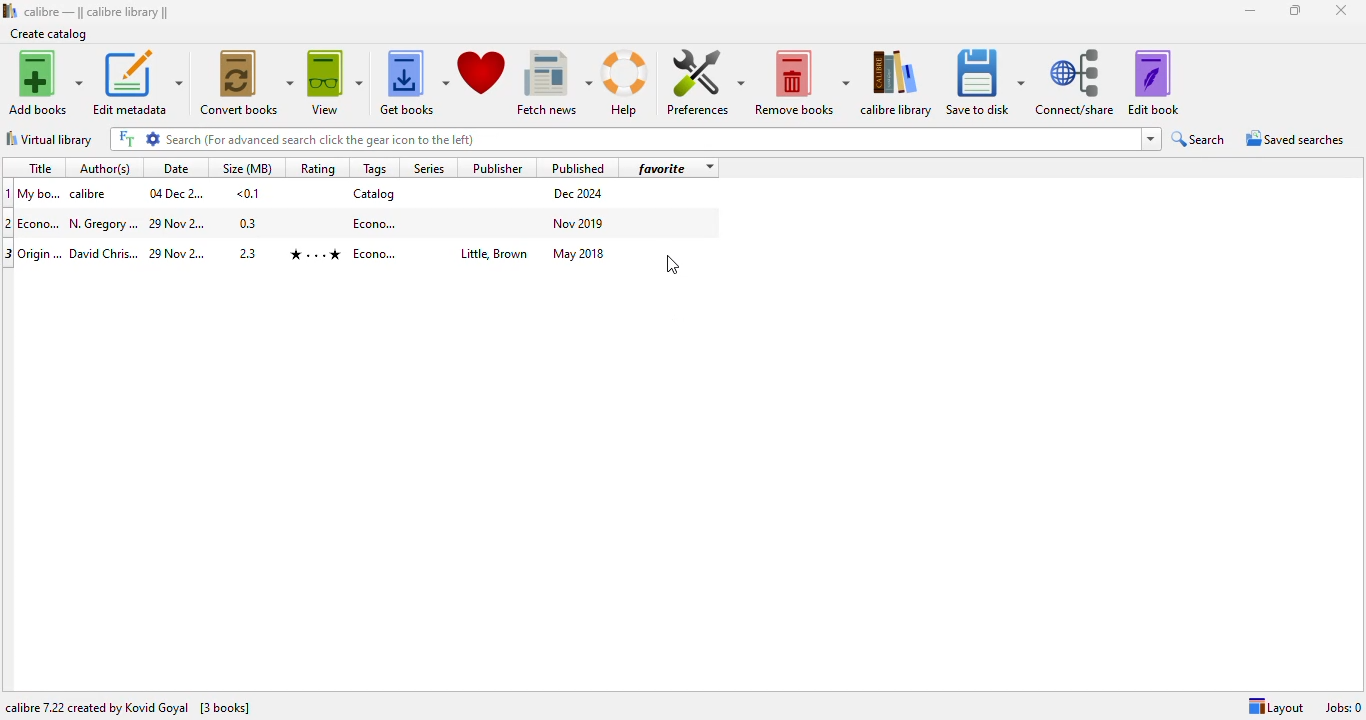 The height and width of the screenshot is (720, 1366). I want to click on publish date, so click(580, 222).